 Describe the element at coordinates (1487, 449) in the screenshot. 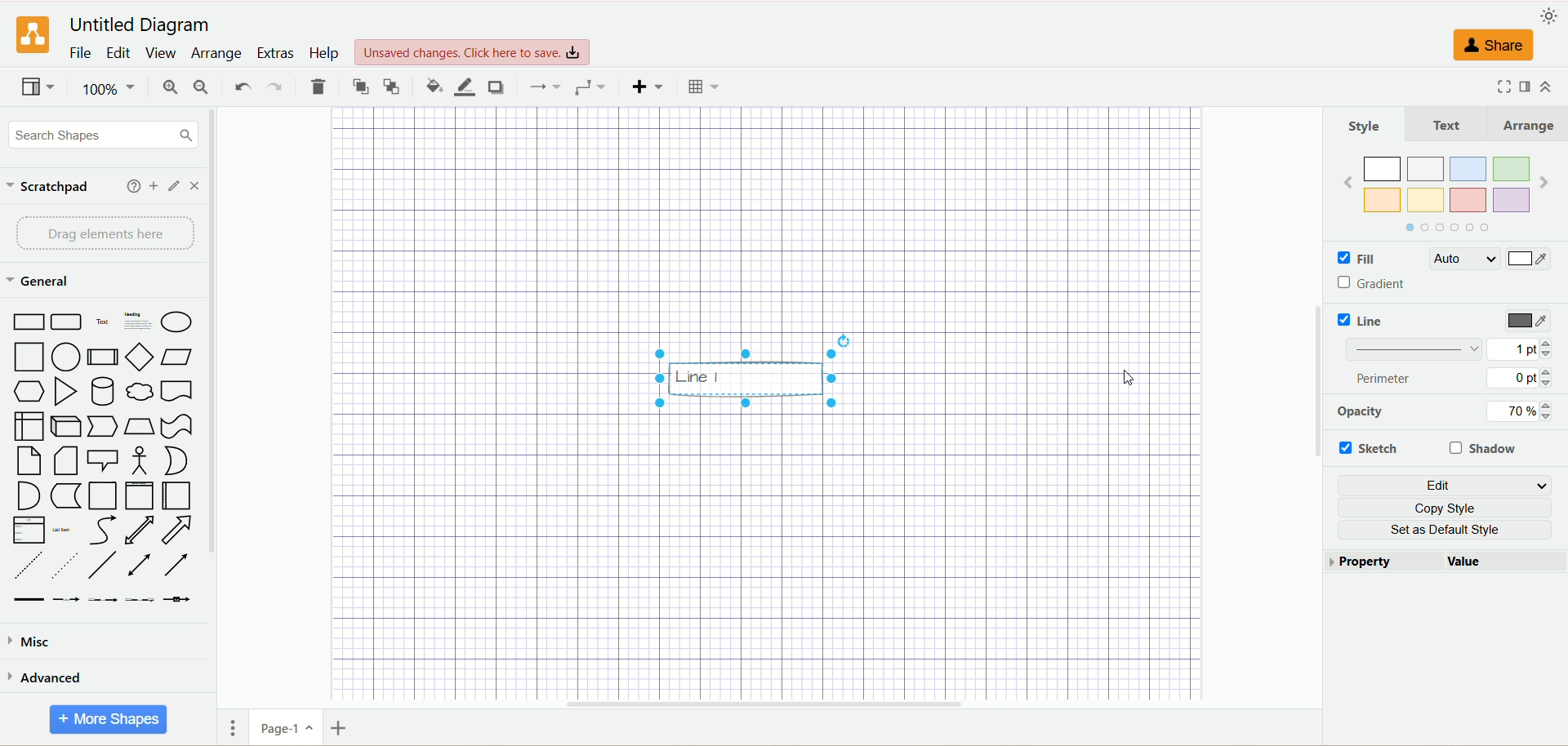

I see `shadow` at that location.